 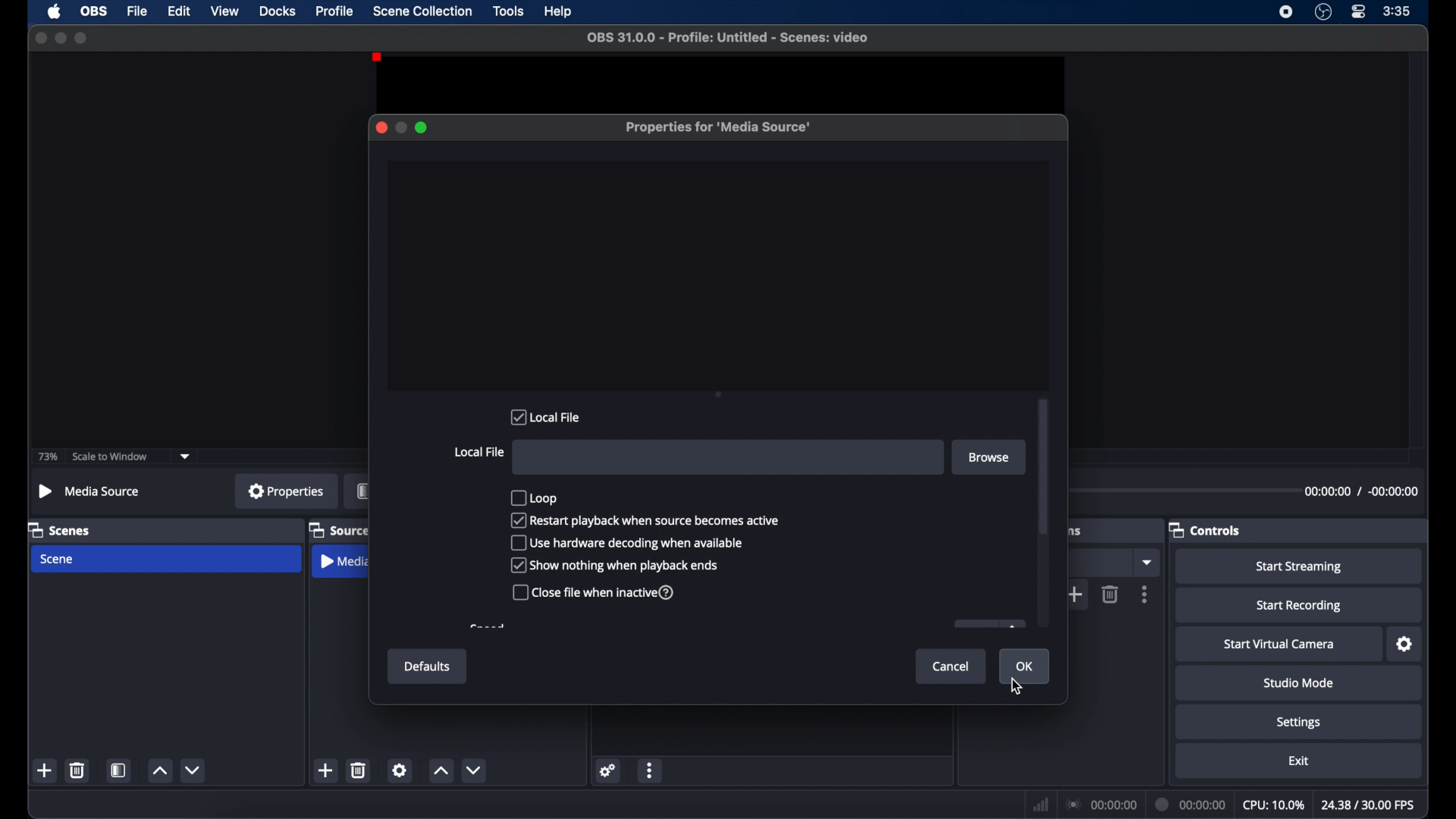 What do you see at coordinates (1100, 803) in the screenshot?
I see `connection` at bounding box center [1100, 803].